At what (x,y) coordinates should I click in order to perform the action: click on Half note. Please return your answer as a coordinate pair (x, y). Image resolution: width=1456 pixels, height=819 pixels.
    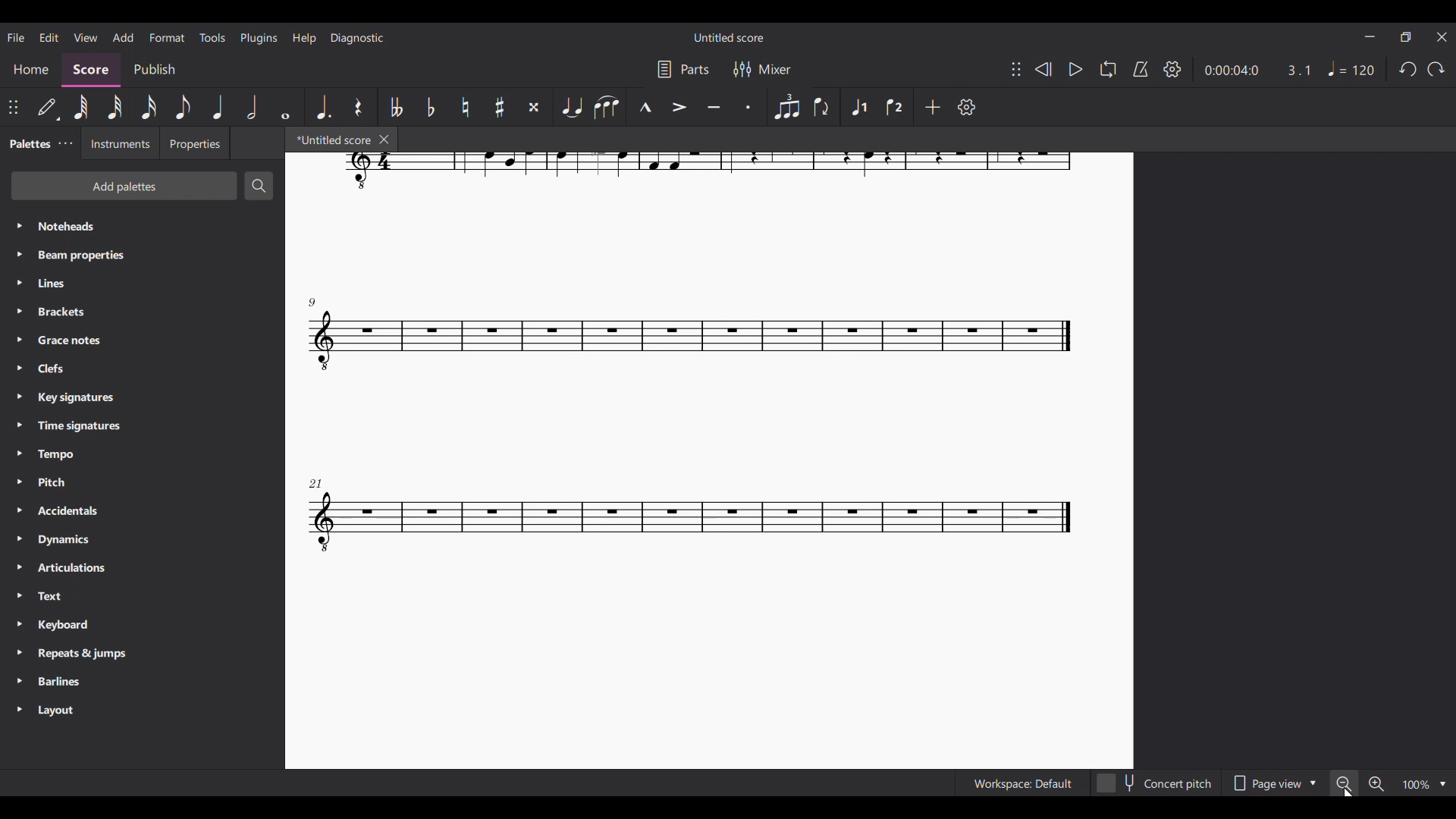
    Looking at the image, I should click on (252, 107).